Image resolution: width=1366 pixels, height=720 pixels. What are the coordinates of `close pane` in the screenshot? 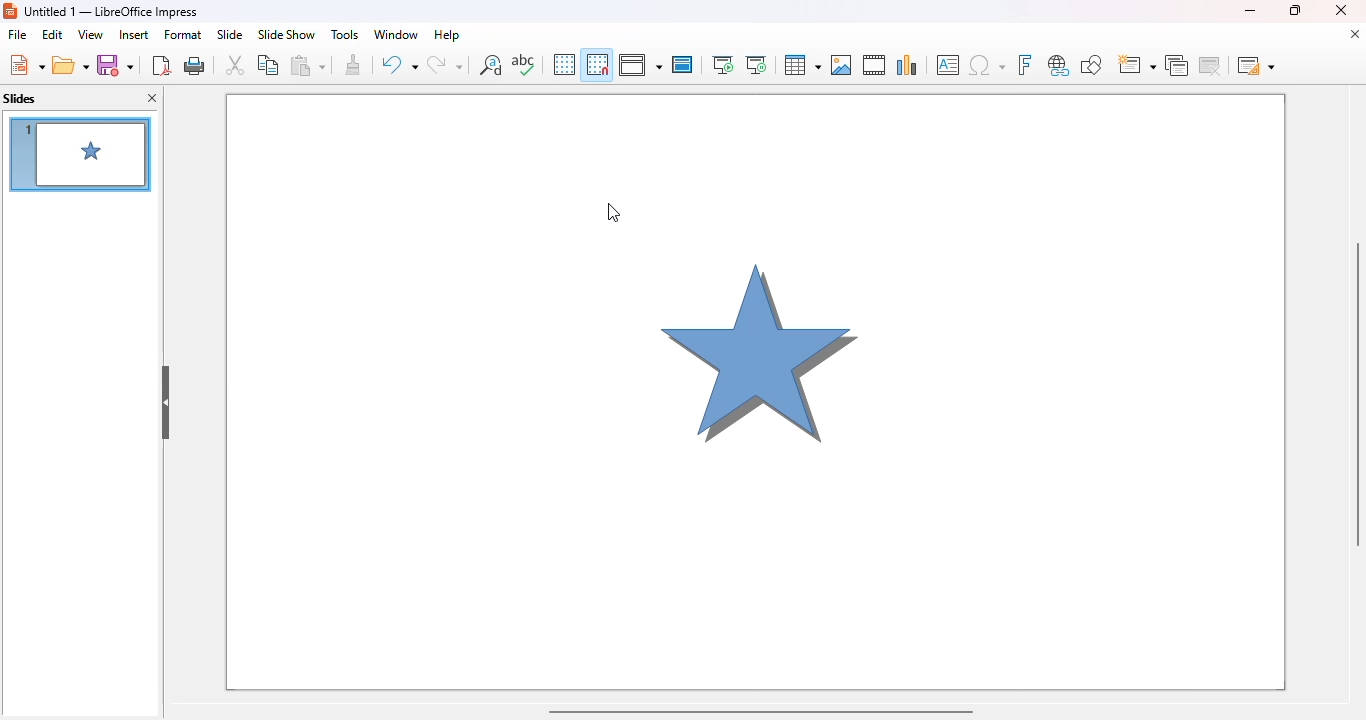 It's located at (152, 98).